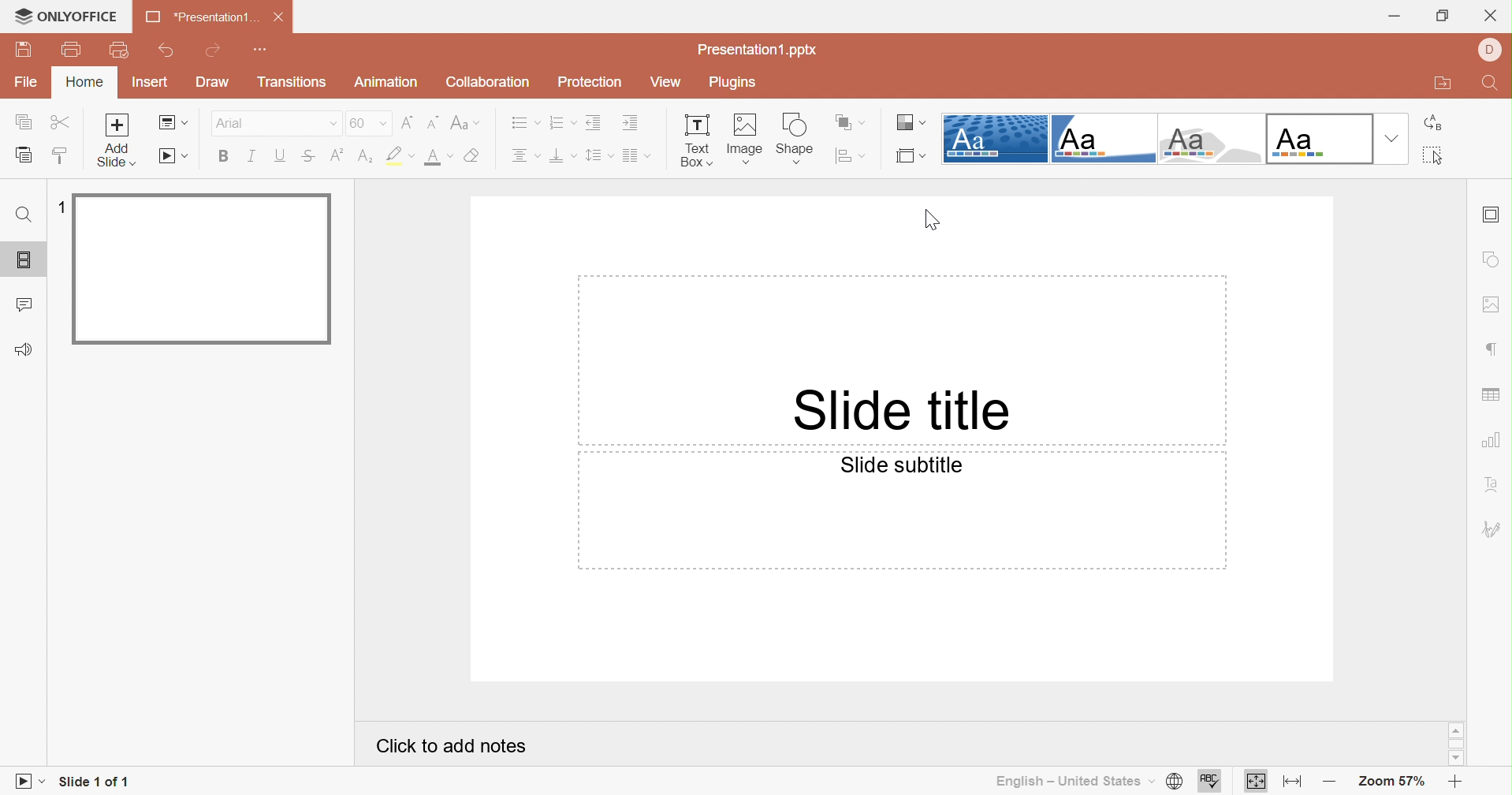 The width and height of the screenshot is (1512, 795). Describe the element at coordinates (1210, 782) in the screenshot. I see `Spell checking` at that location.